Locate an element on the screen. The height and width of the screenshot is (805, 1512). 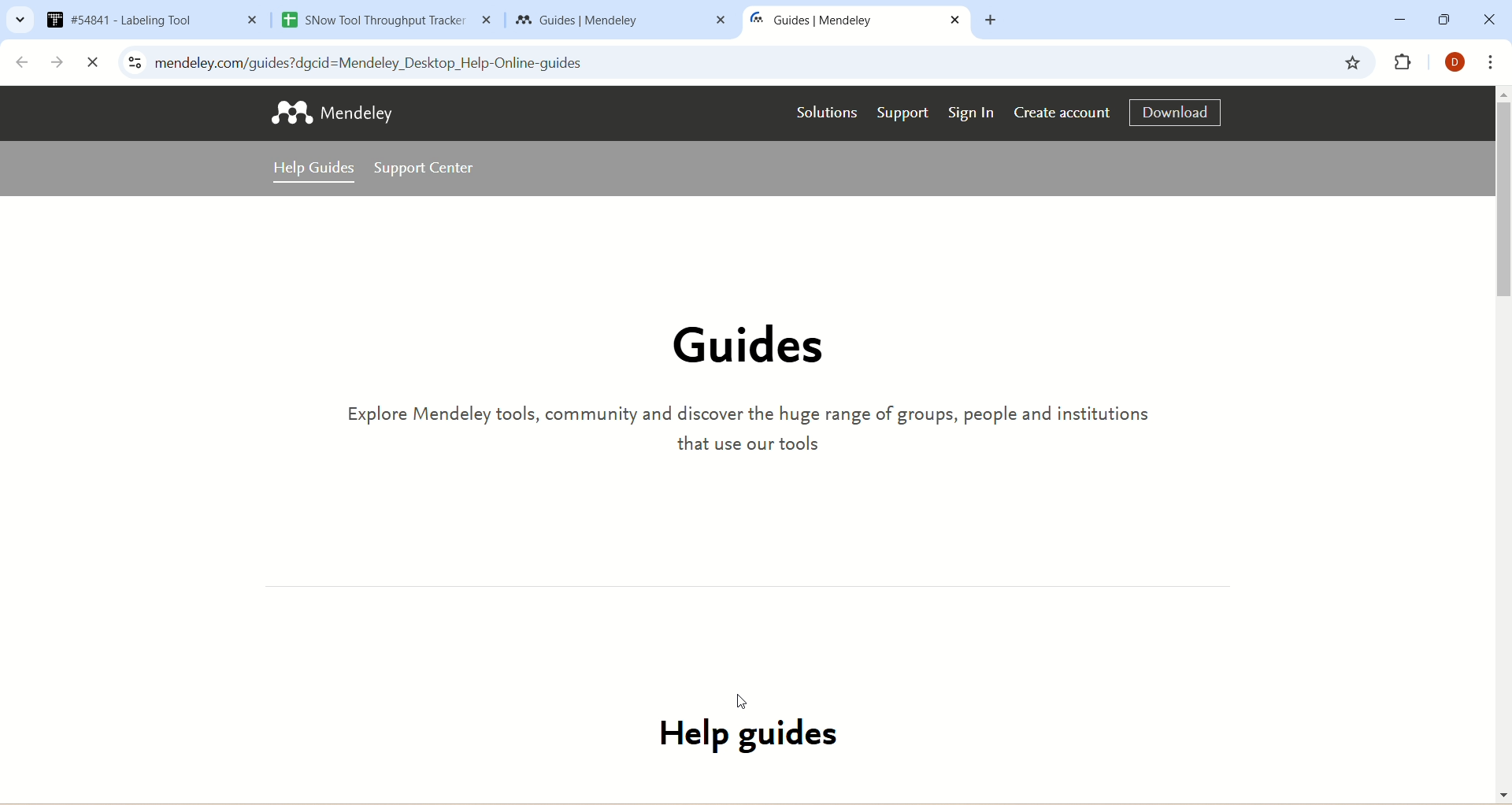
guides is located at coordinates (736, 350).